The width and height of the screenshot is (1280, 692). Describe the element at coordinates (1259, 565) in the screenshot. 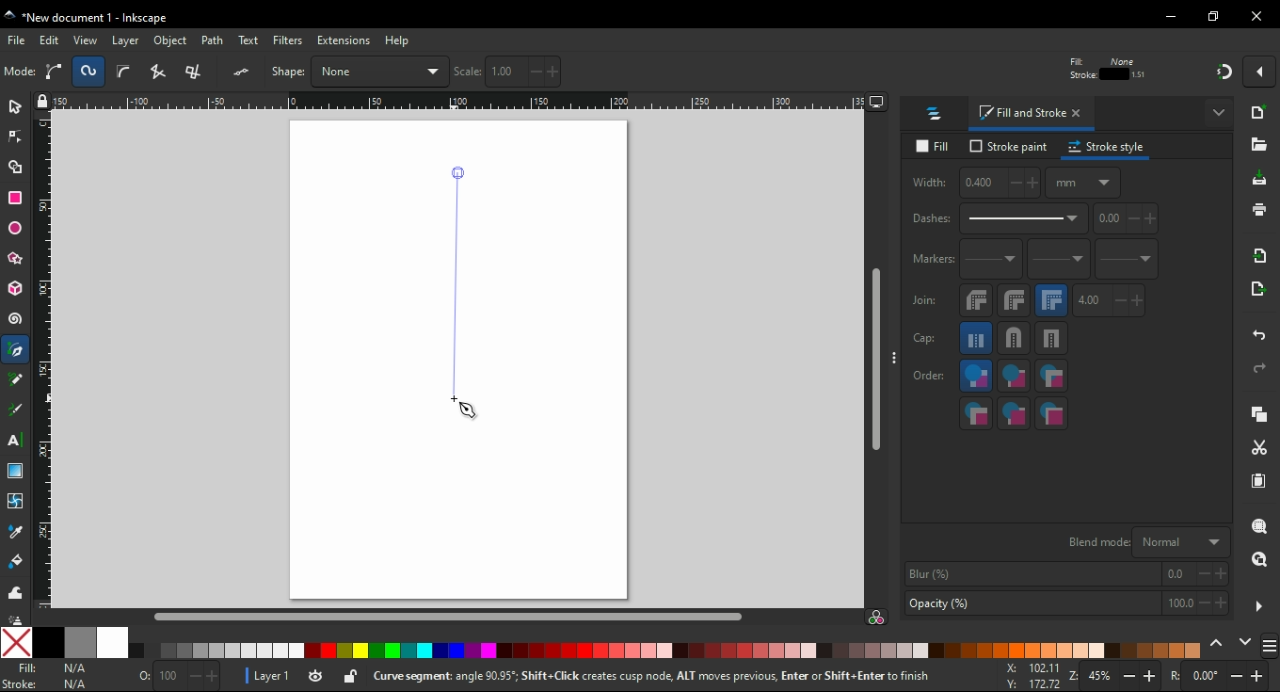

I see `zoom drawing` at that location.